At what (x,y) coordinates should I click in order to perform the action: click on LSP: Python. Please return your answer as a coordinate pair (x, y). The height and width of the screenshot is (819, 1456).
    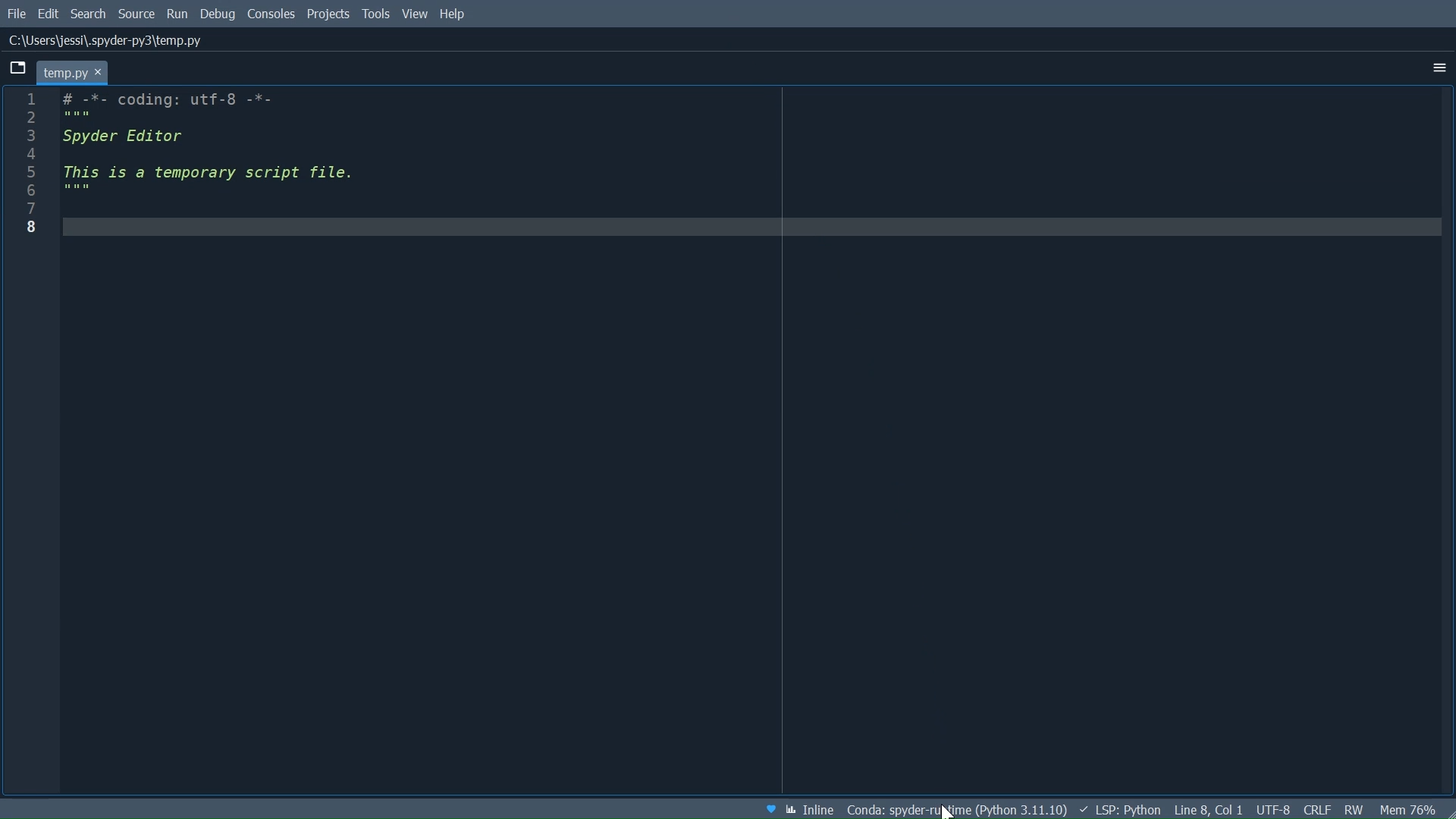
    Looking at the image, I should click on (1122, 810).